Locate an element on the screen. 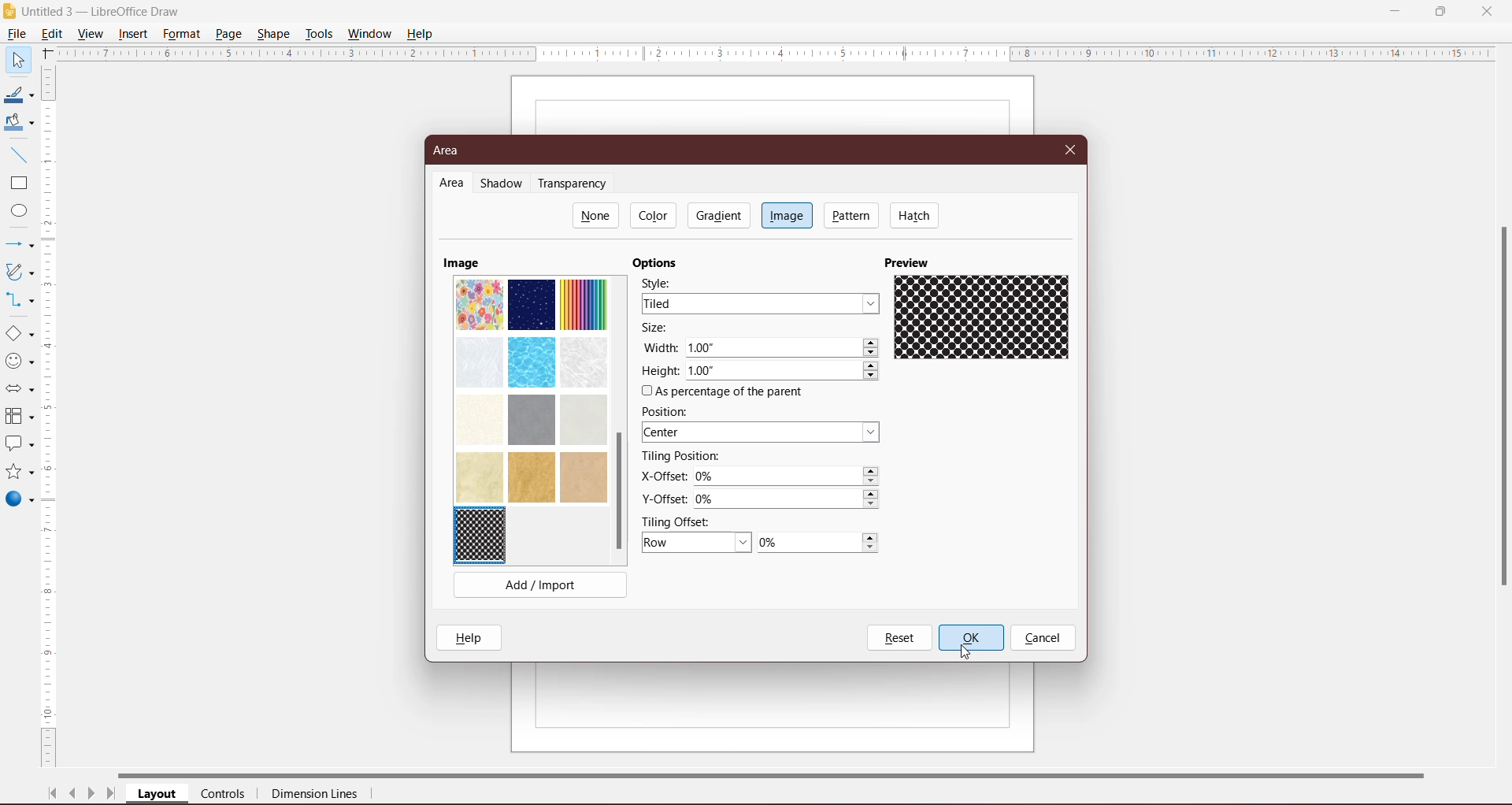  Format is located at coordinates (181, 34).